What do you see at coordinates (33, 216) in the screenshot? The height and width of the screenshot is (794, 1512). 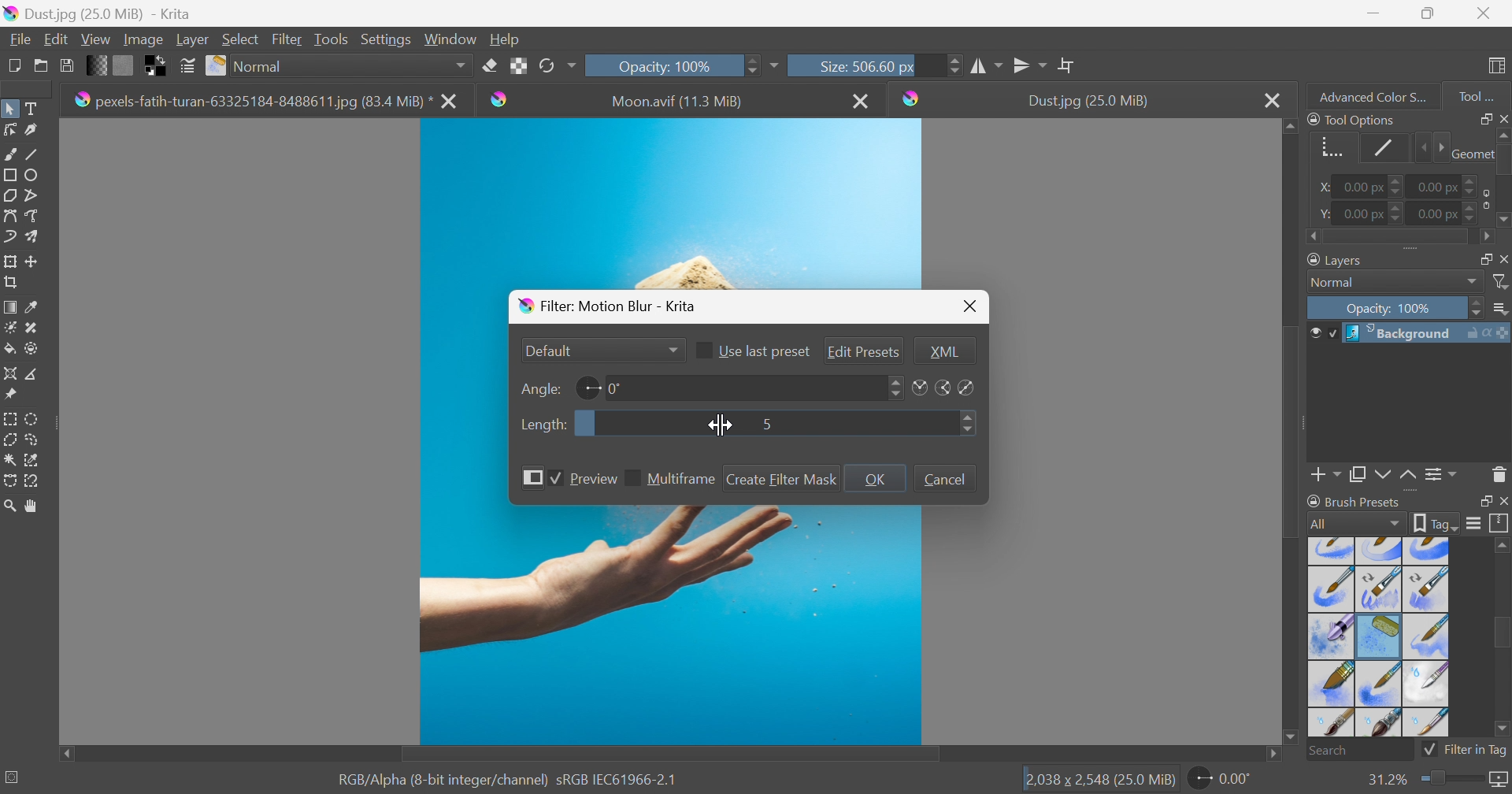 I see `Freehand path tool` at bounding box center [33, 216].